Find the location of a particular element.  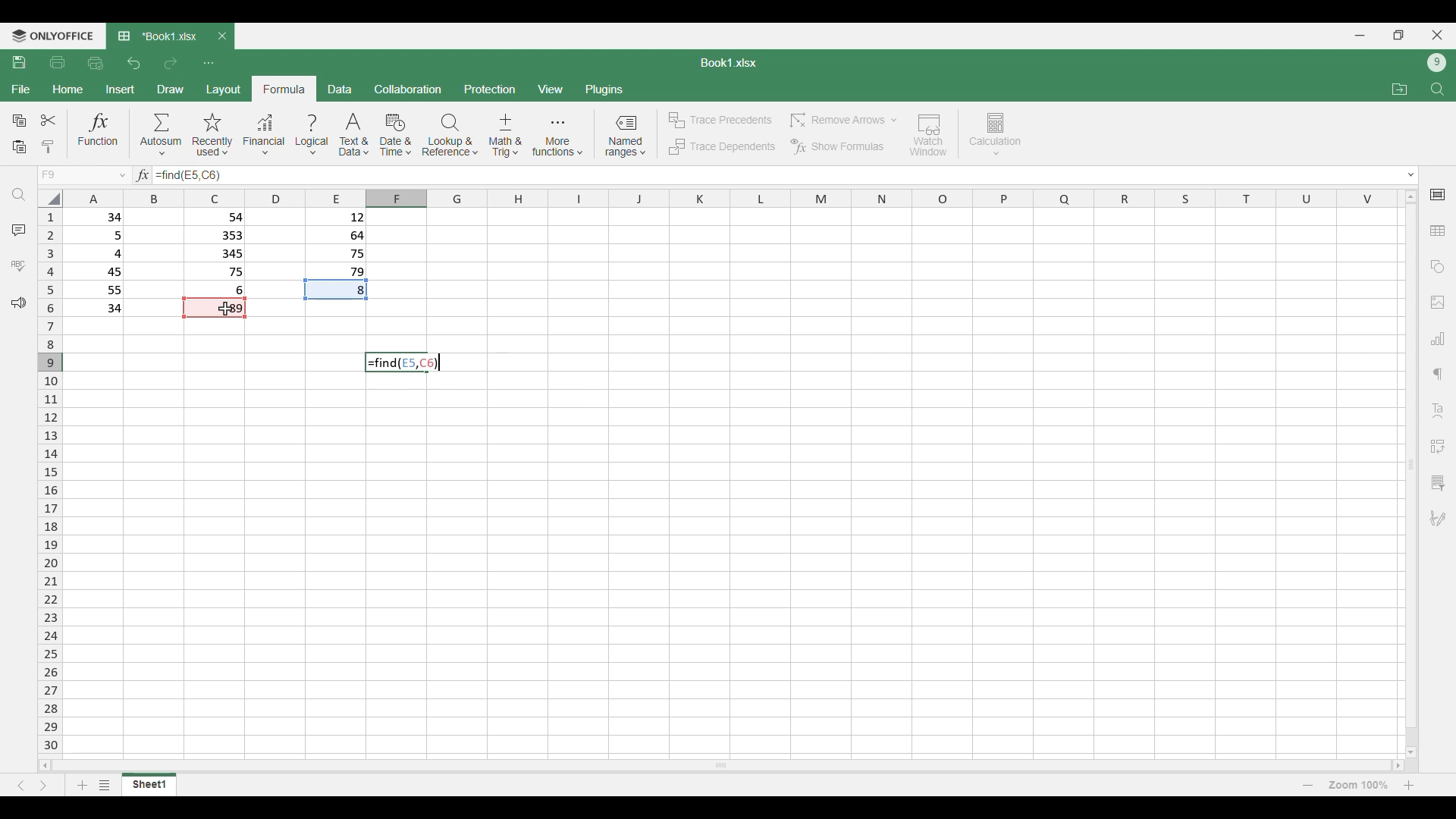

Home menu is located at coordinates (67, 89).